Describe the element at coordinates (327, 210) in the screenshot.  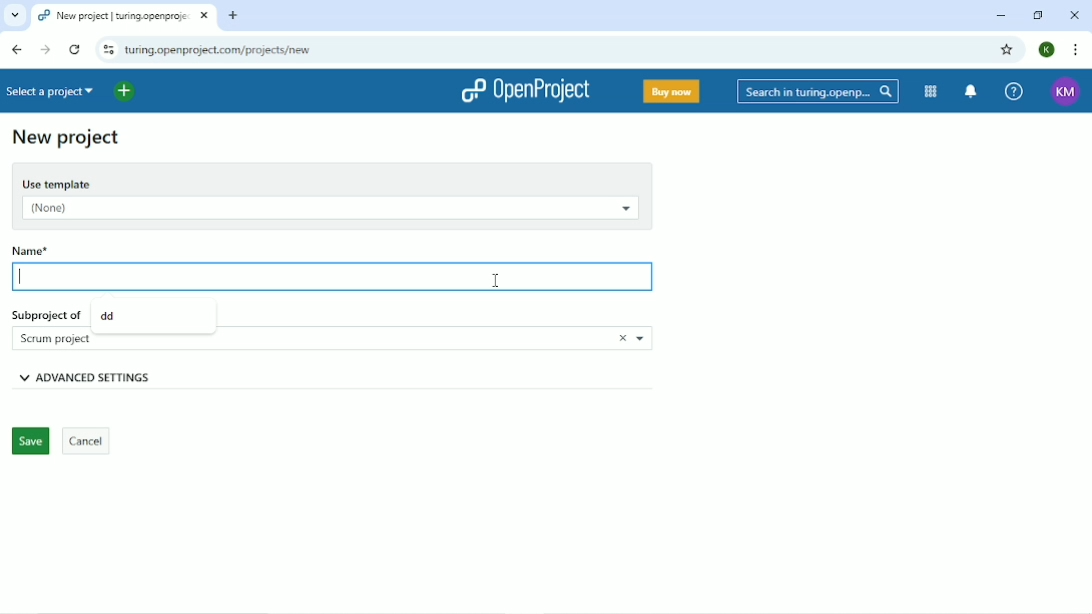
I see `(None)` at that location.